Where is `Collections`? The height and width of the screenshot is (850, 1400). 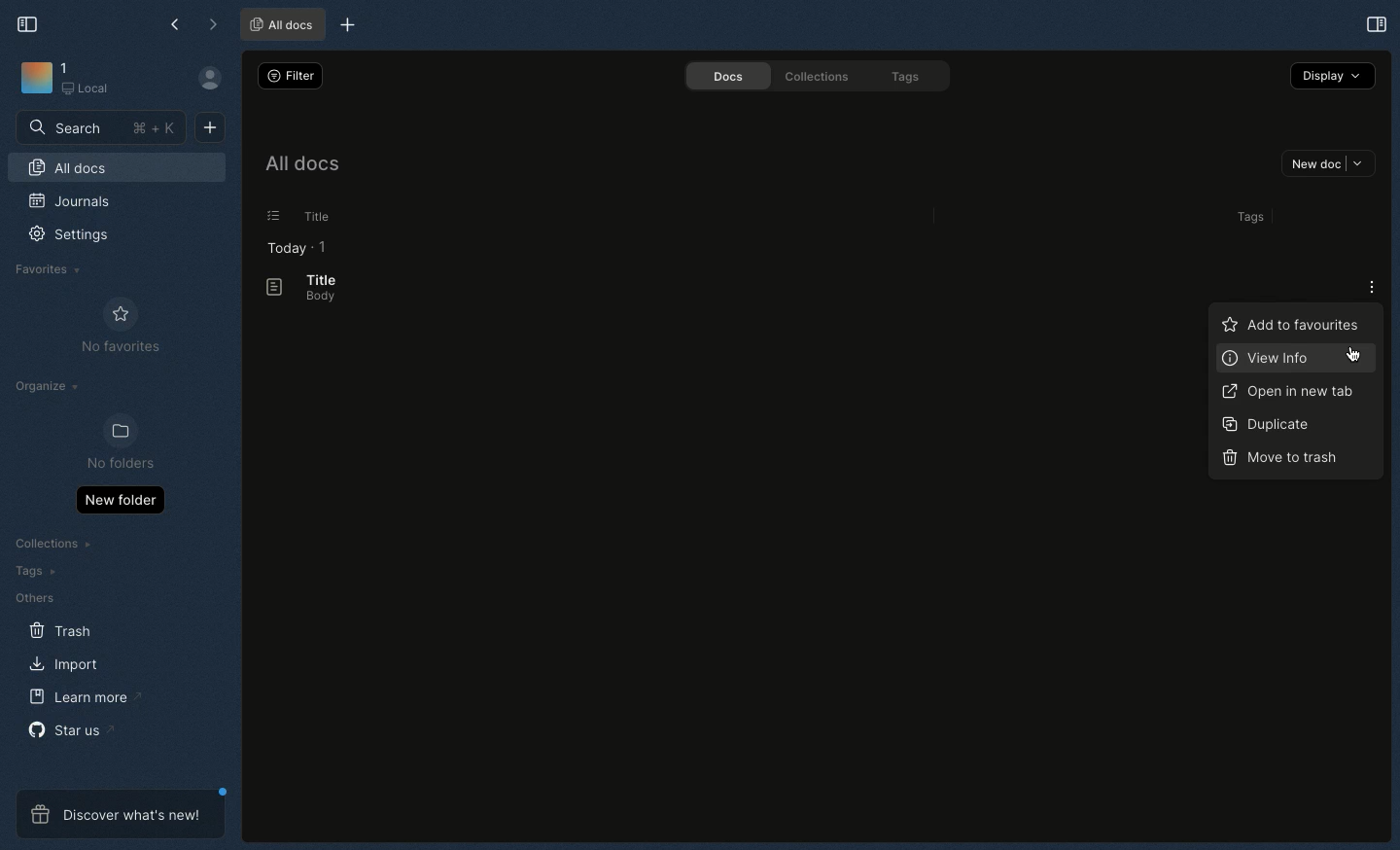 Collections is located at coordinates (55, 546).